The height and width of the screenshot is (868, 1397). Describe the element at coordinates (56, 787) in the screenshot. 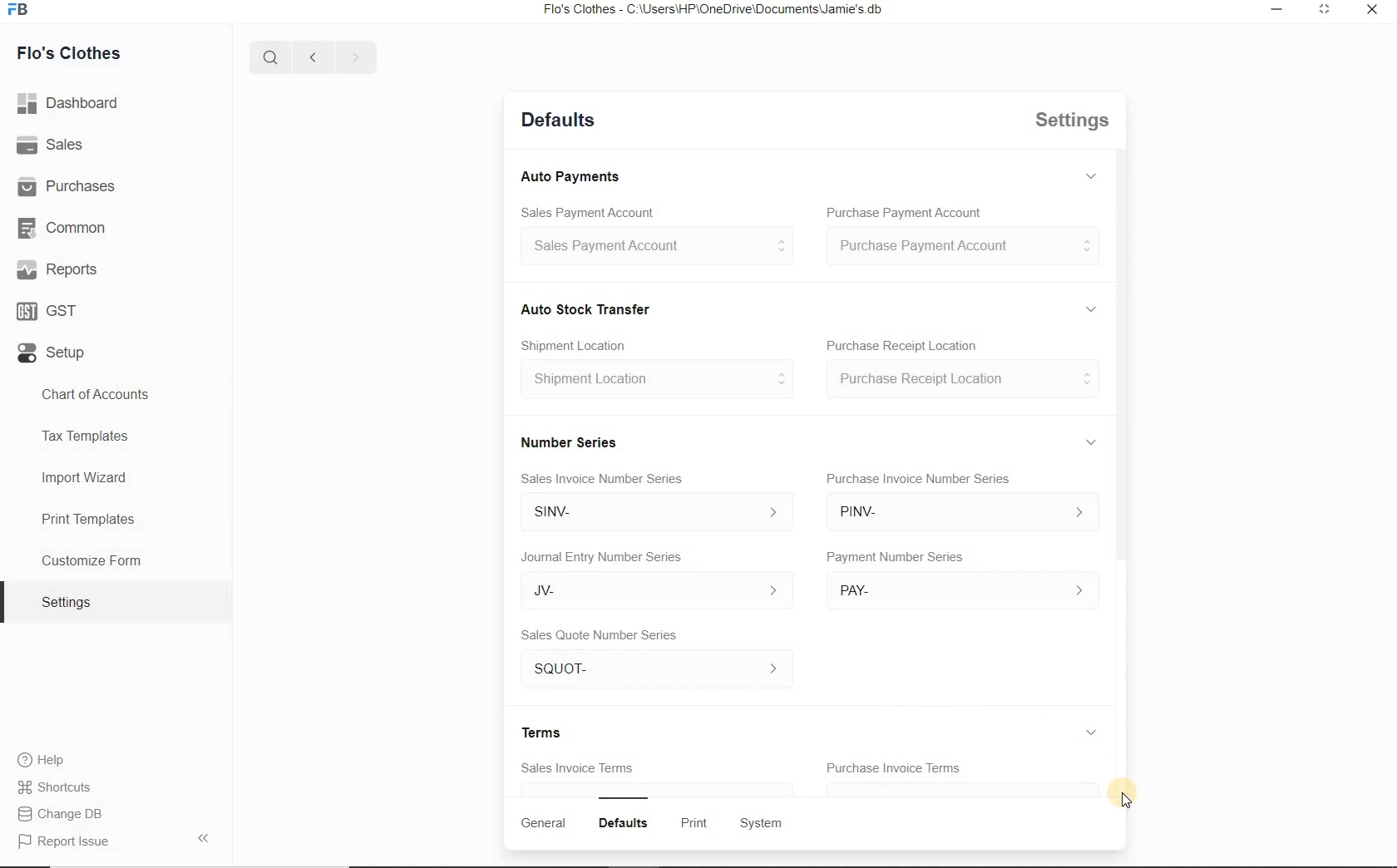

I see `Shortcuts` at that location.